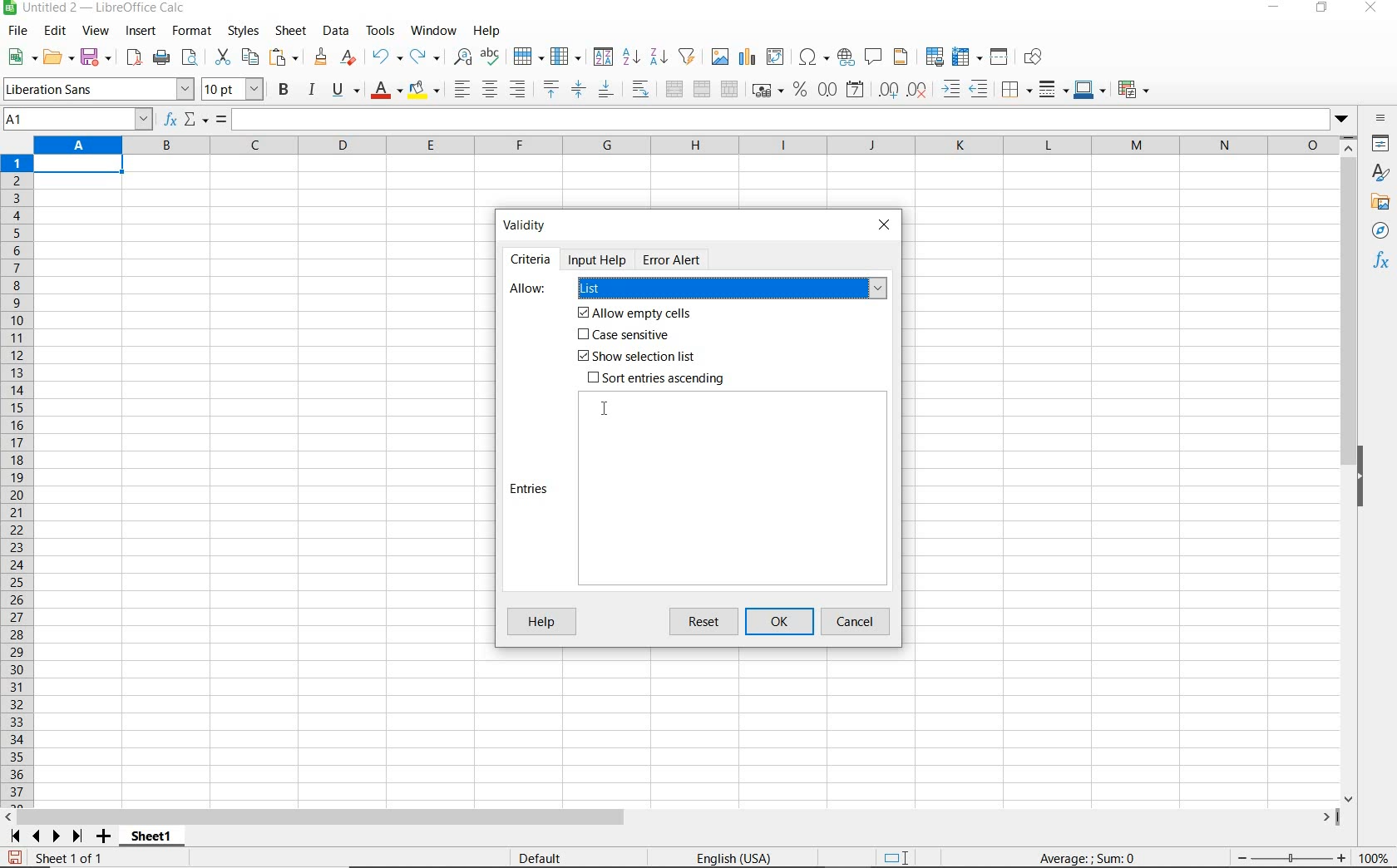 This screenshot has height=868, width=1397. I want to click on close, so click(884, 223).